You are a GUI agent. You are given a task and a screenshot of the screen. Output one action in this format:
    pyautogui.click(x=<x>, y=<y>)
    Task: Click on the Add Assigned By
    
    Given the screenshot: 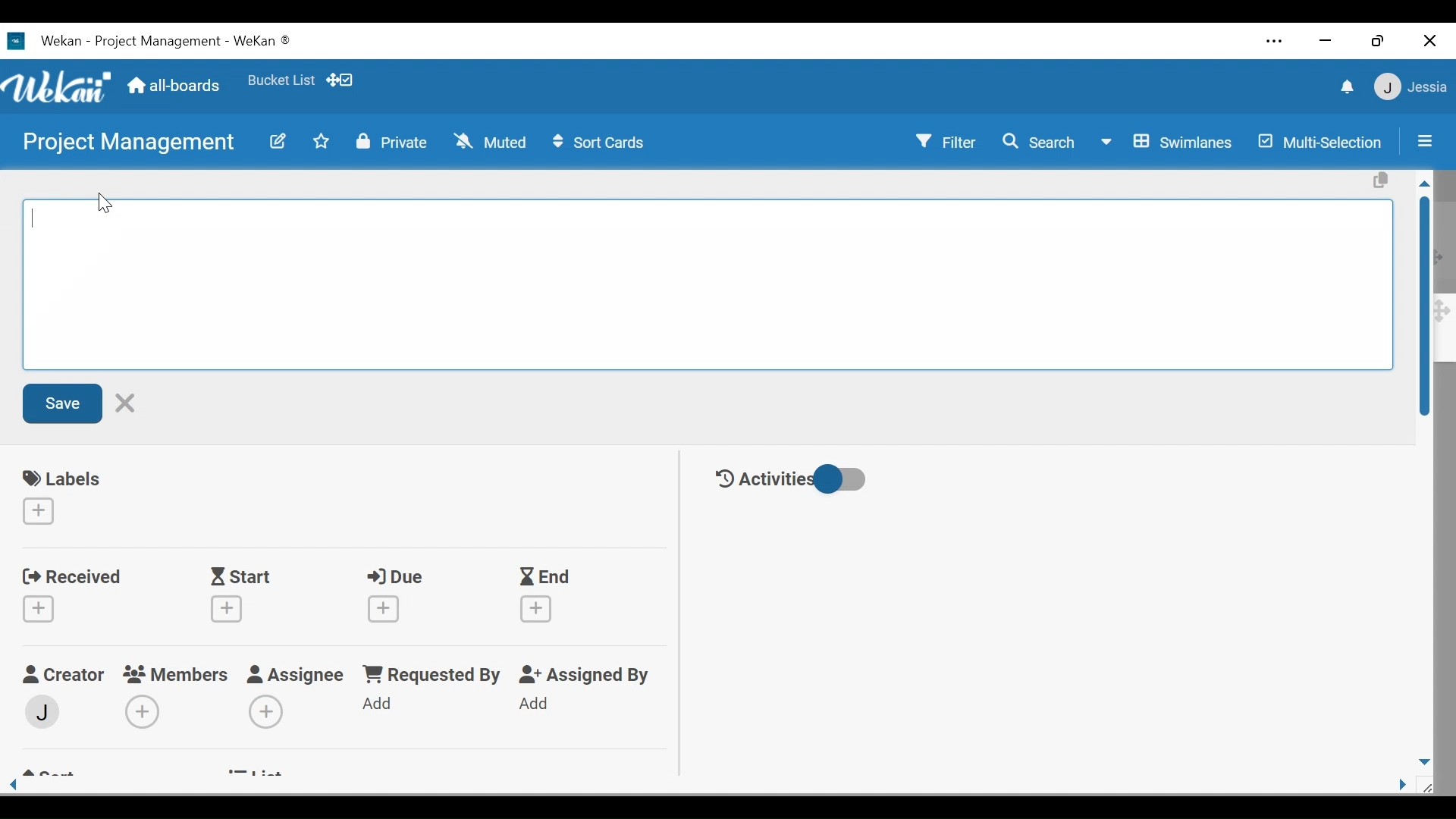 What is the action you would take?
    pyautogui.click(x=535, y=704)
    